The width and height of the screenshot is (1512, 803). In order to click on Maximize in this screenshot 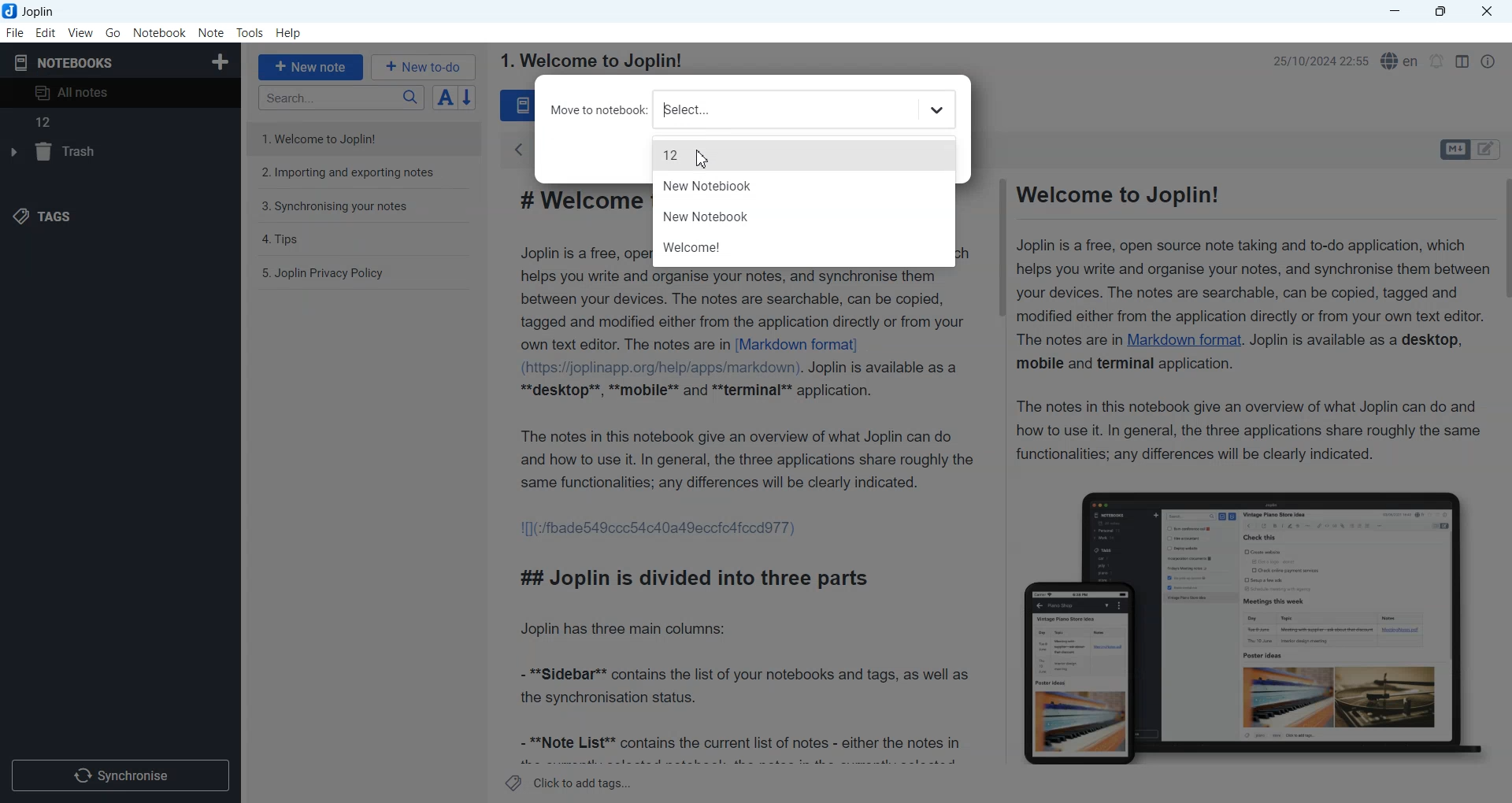, I will do `click(1443, 12)`.